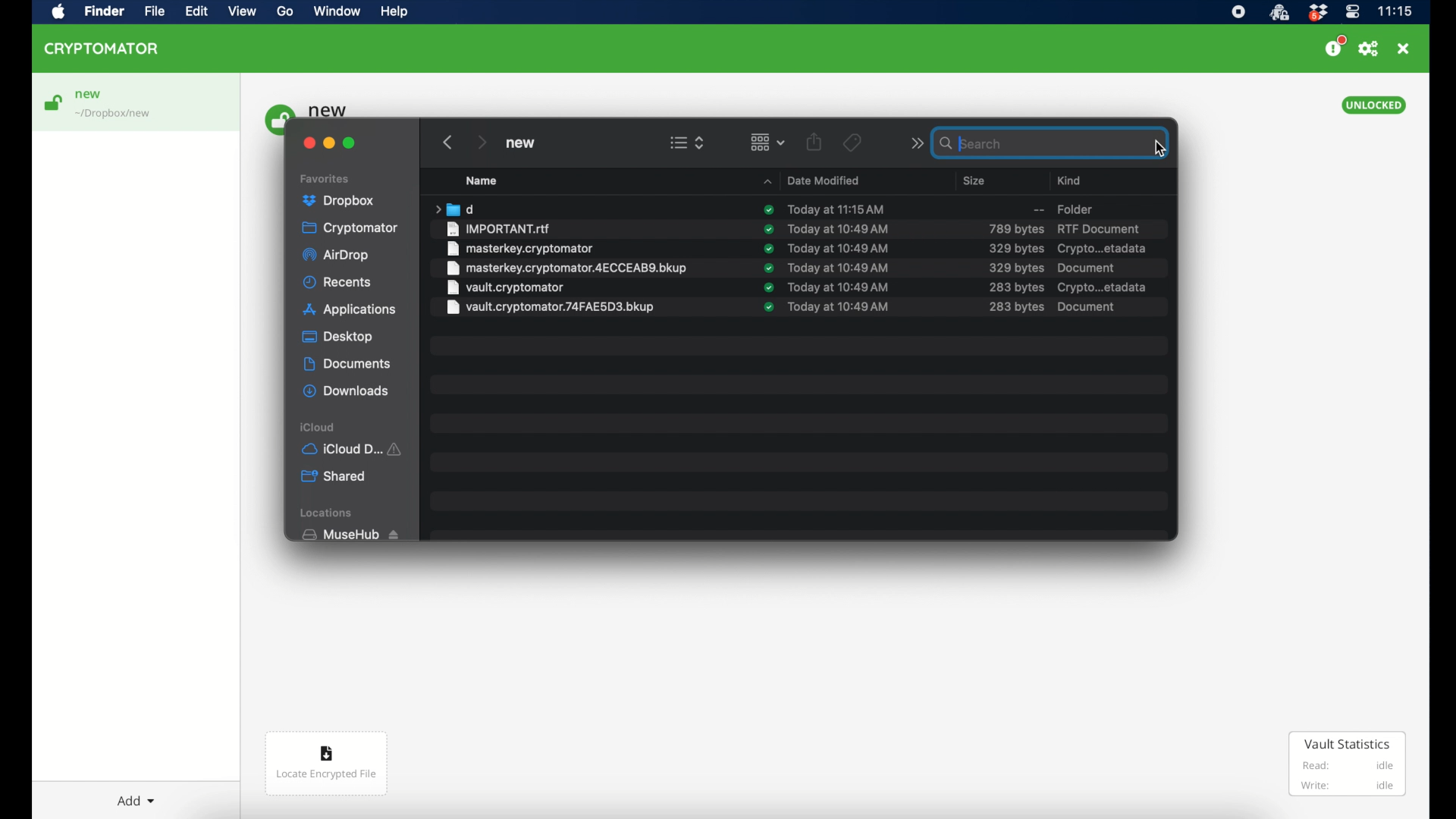 Image resolution: width=1456 pixels, height=819 pixels. What do you see at coordinates (1016, 248) in the screenshot?
I see `size` at bounding box center [1016, 248].